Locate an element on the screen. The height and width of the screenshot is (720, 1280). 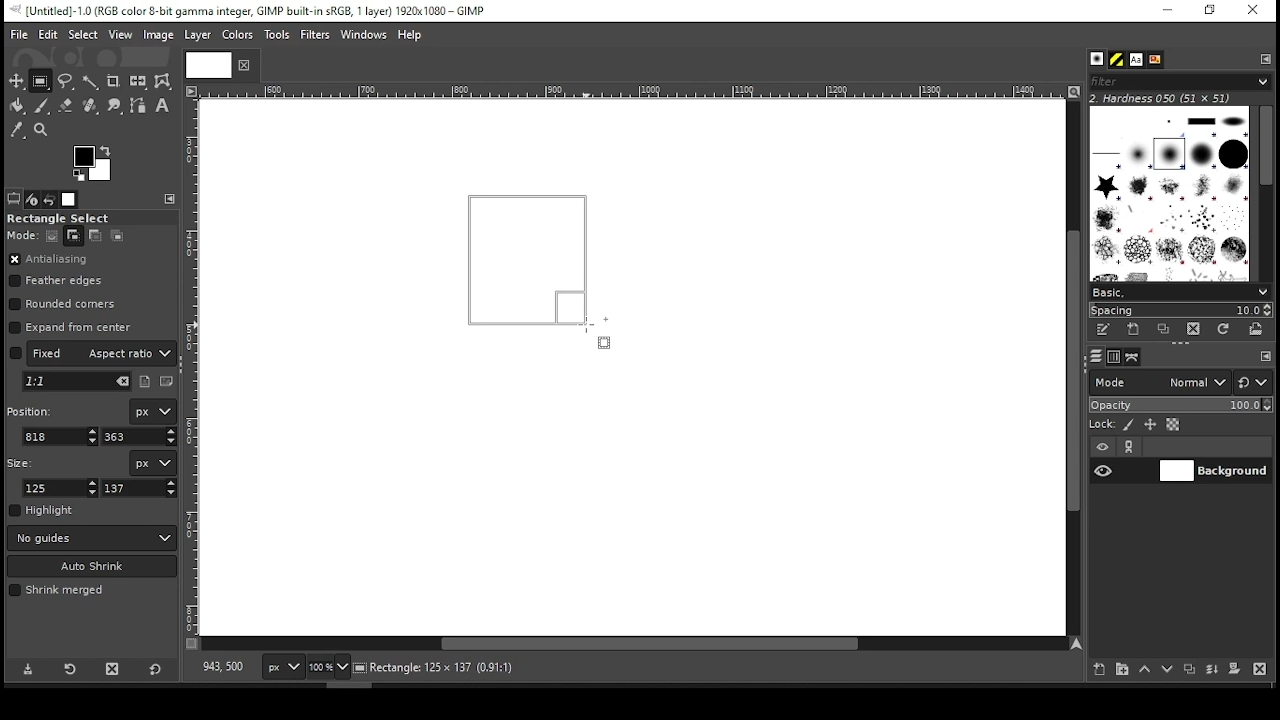
 is located at coordinates (629, 92).